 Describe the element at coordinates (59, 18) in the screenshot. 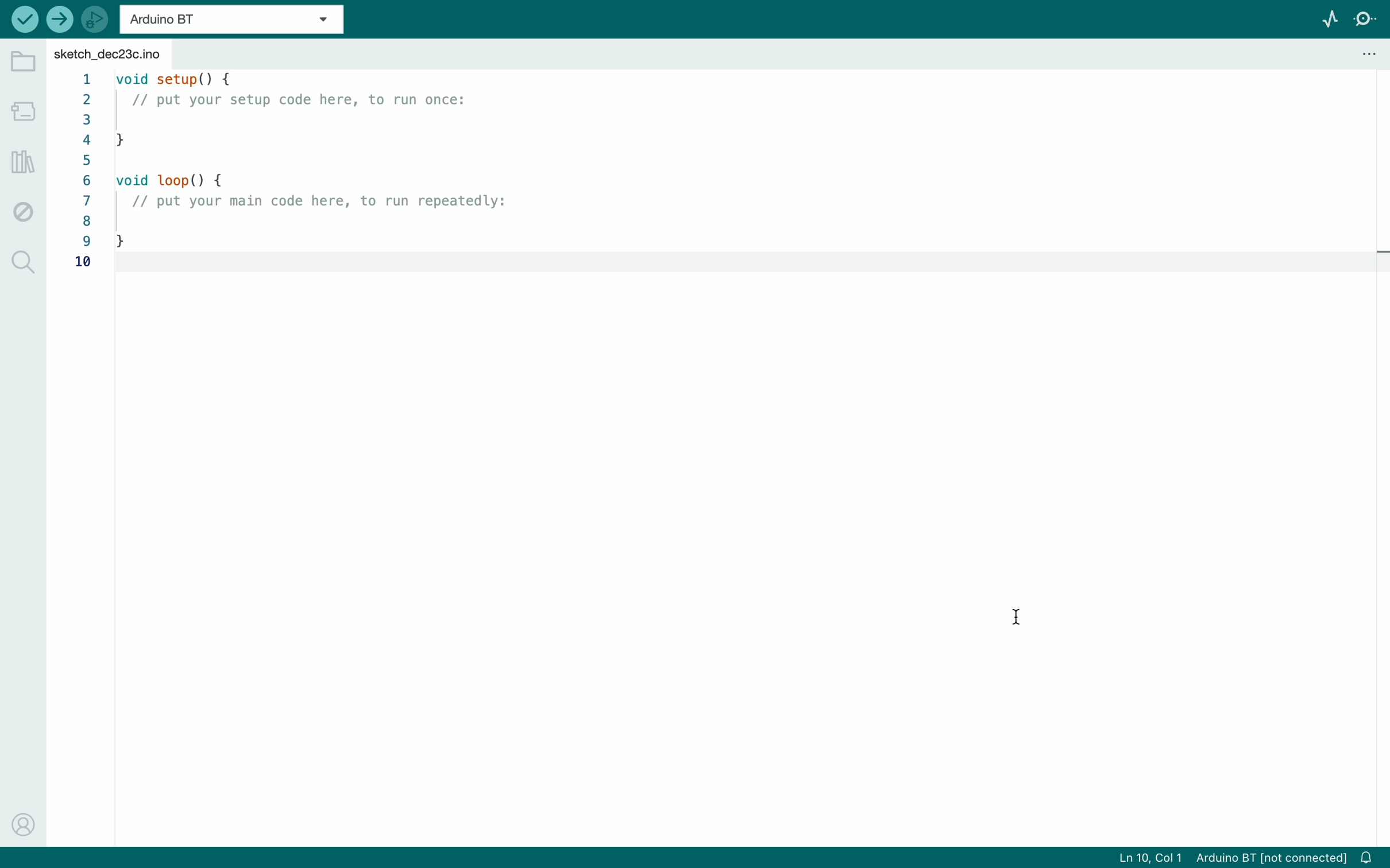

I see `upload` at that location.